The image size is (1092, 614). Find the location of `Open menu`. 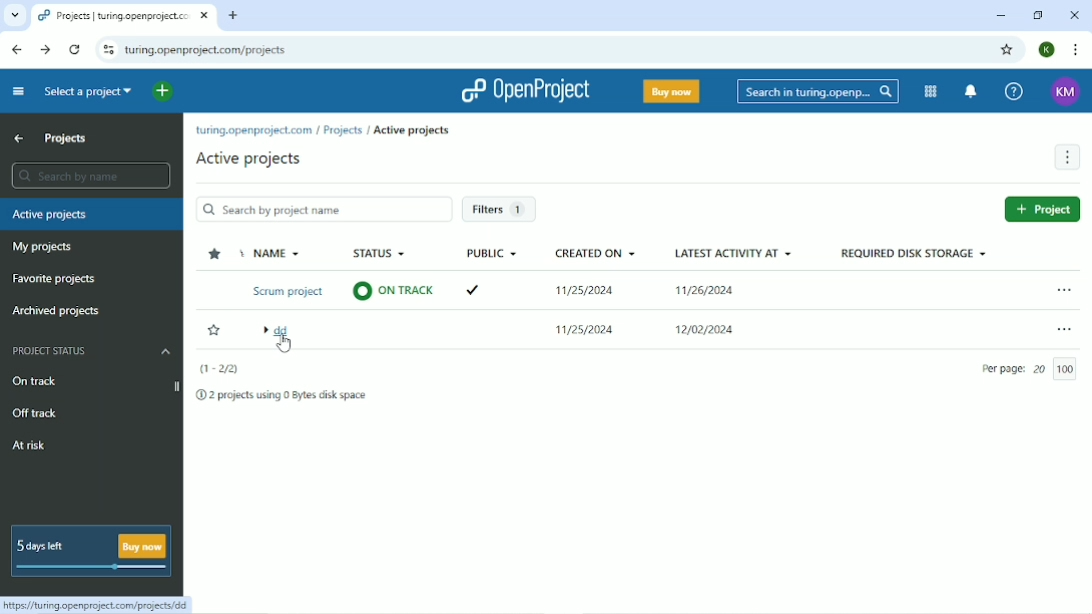

Open menu is located at coordinates (1063, 331).